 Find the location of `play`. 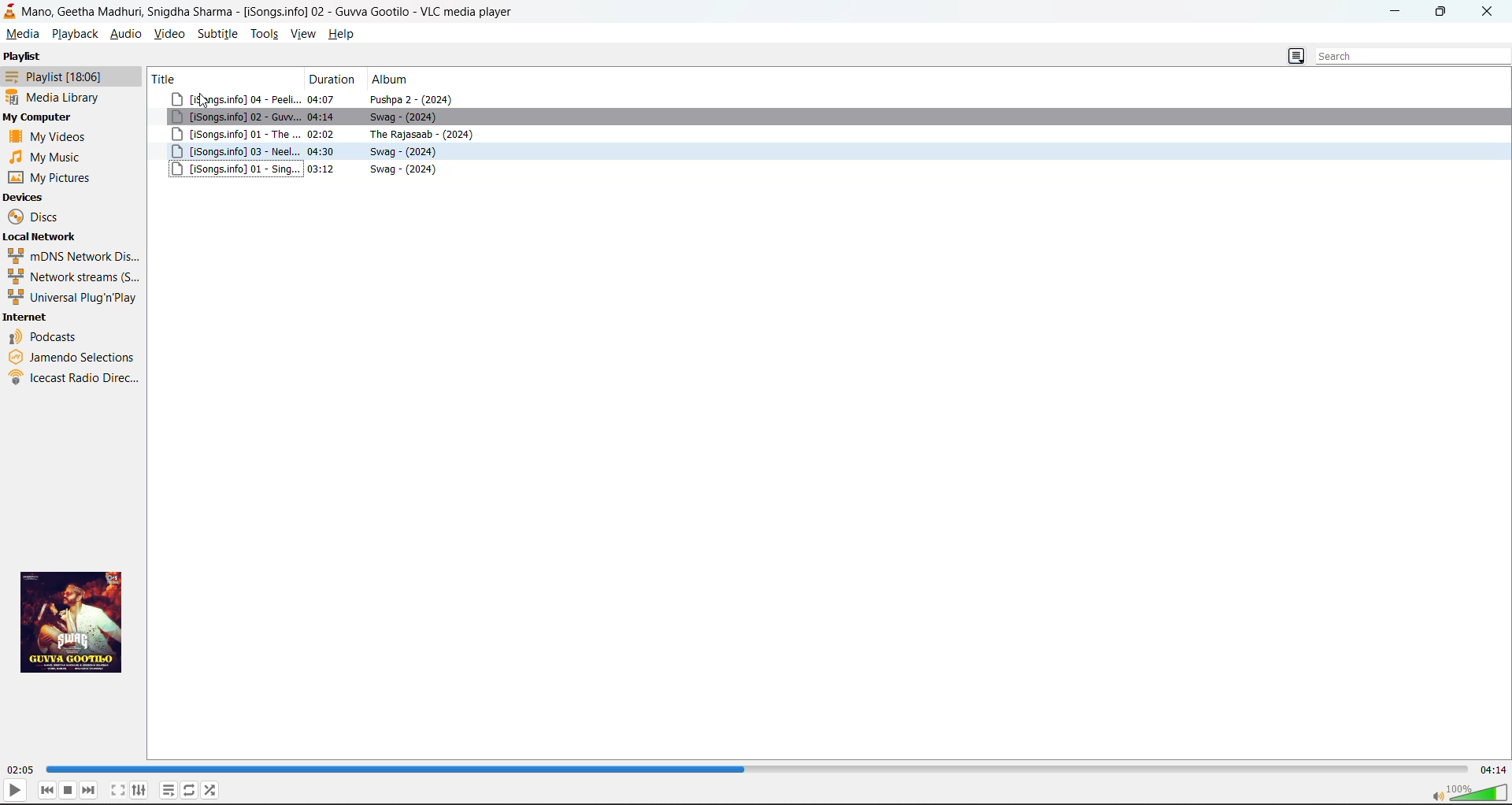

play is located at coordinates (15, 789).